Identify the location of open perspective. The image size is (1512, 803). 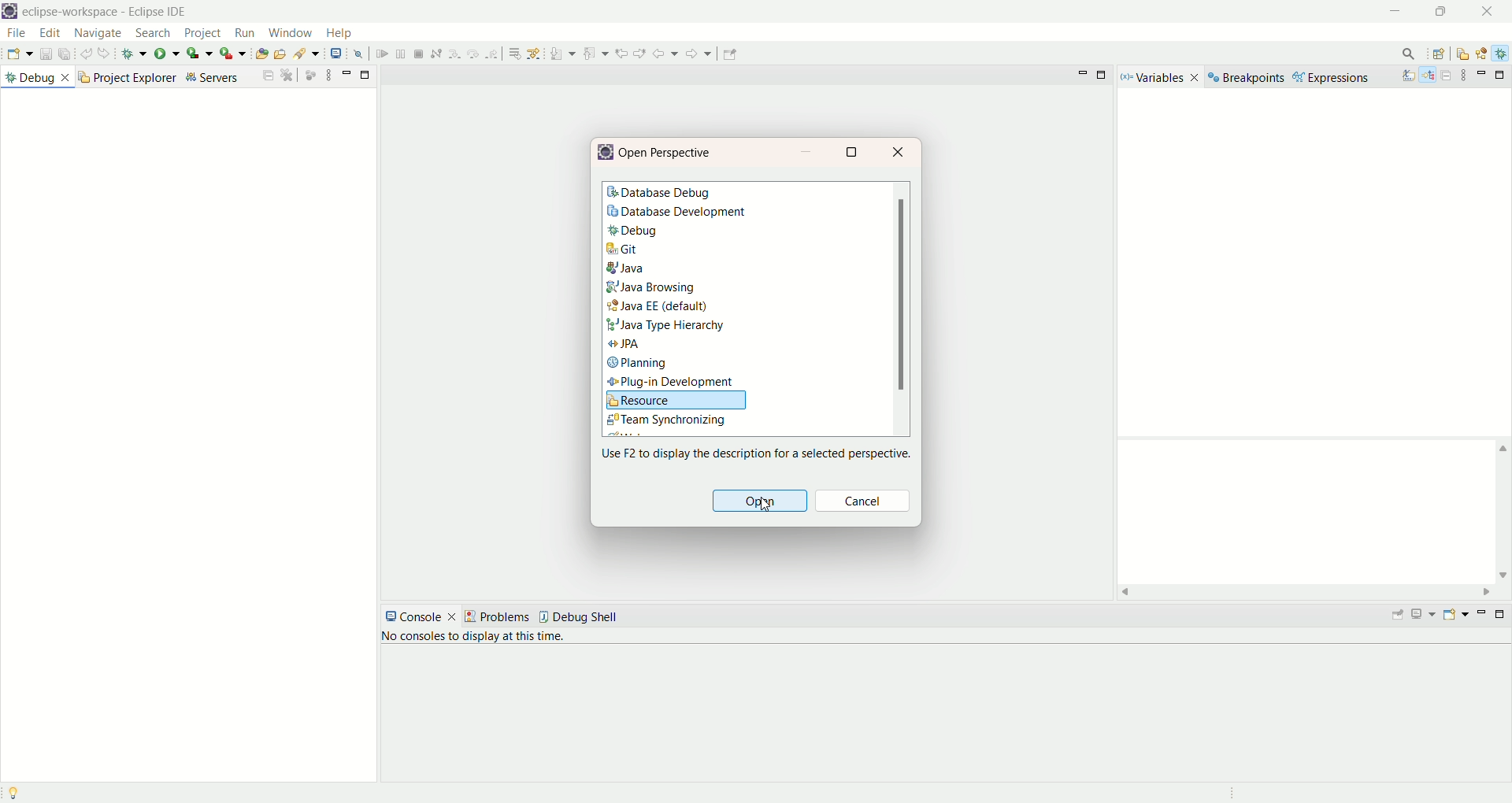
(1439, 54).